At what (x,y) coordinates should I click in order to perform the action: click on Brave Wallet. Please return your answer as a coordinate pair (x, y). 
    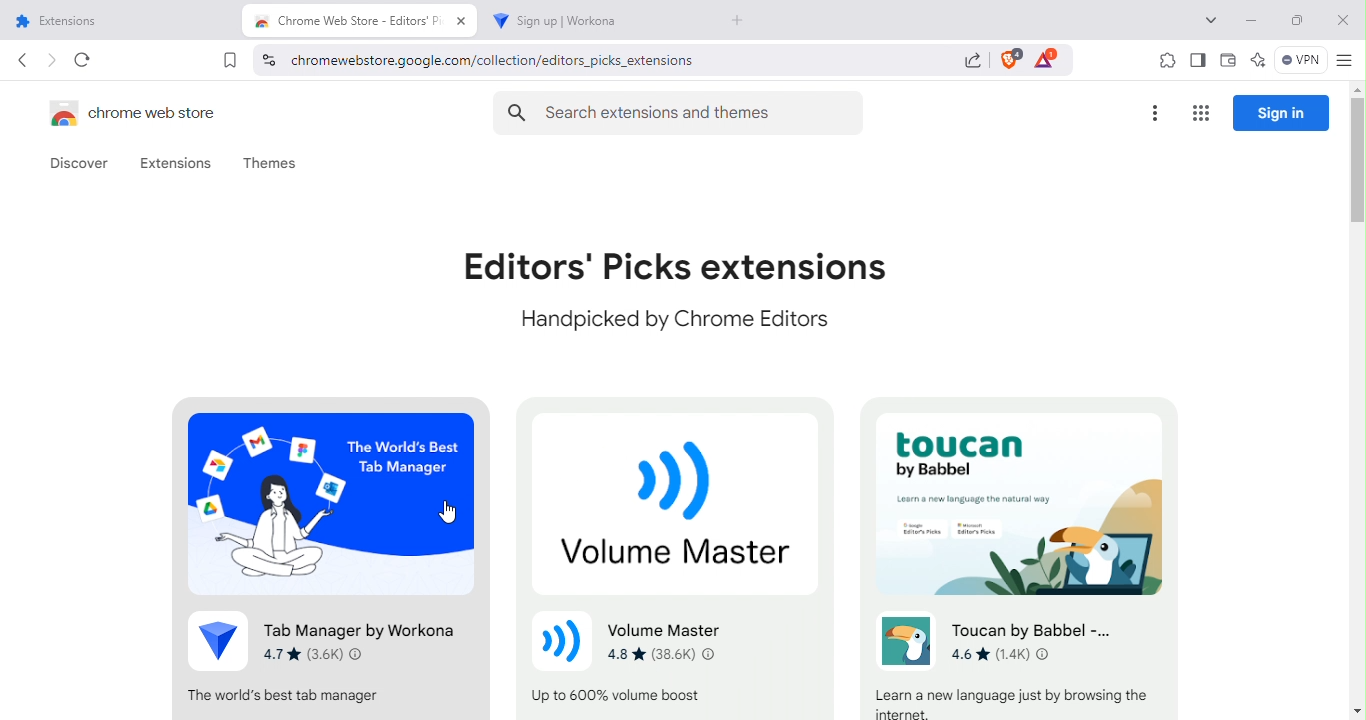
    Looking at the image, I should click on (1227, 62).